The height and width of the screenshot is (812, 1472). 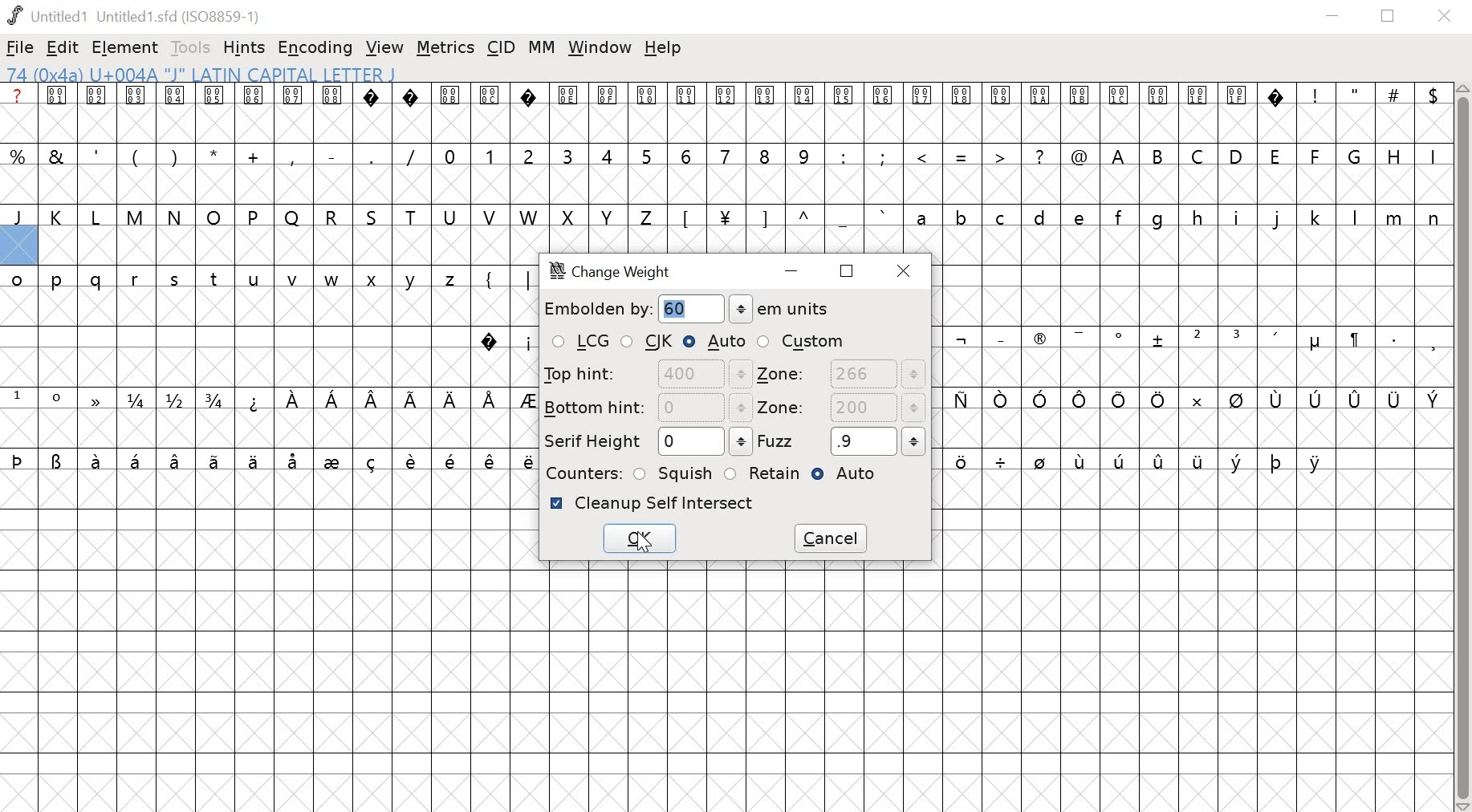 What do you see at coordinates (137, 15) in the screenshot?
I see `Untitled1 (Untitled1.sfd(ISO8859-1)` at bounding box center [137, 15].